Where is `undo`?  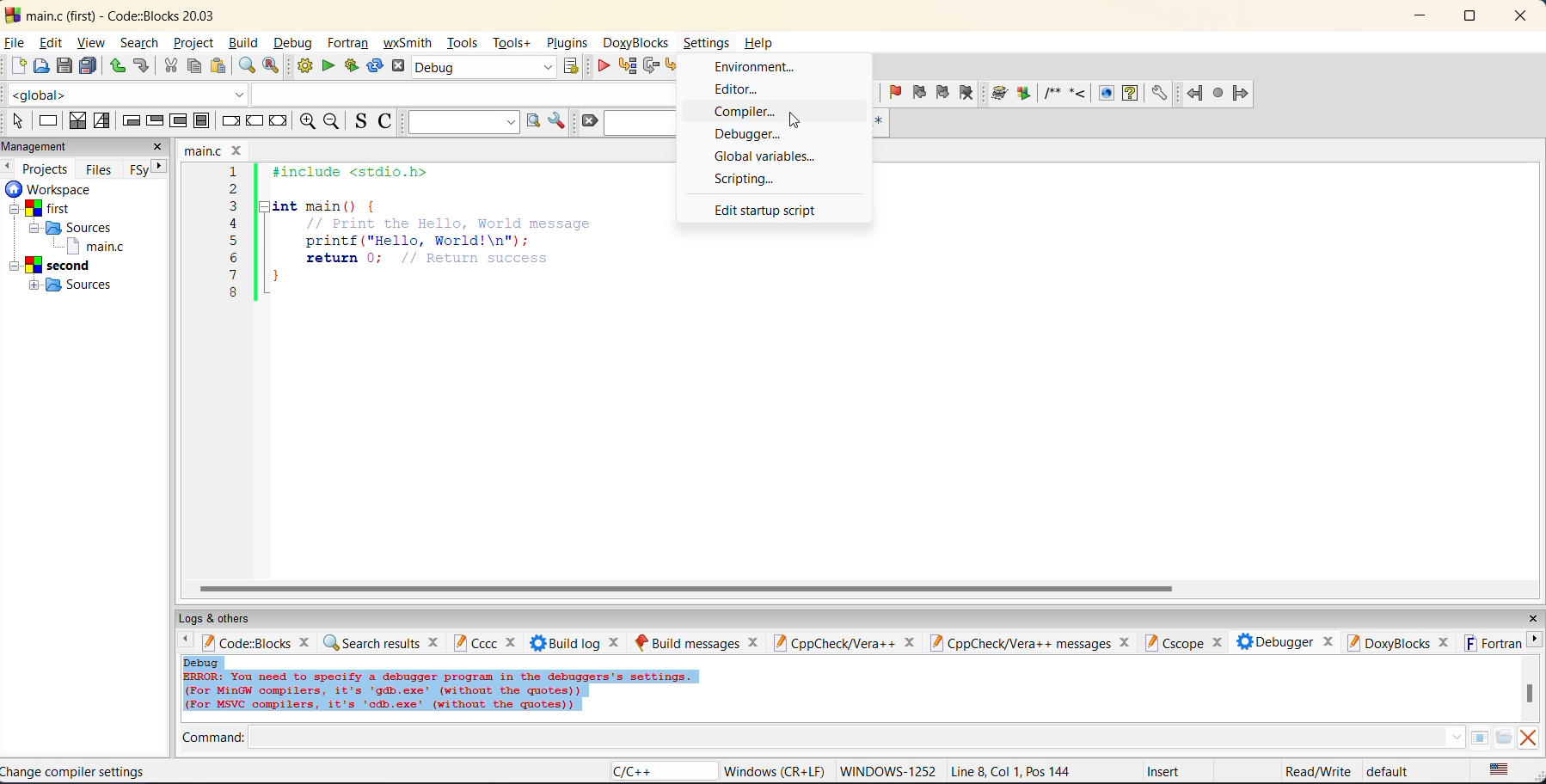 undo is located at coordinates (117, 67).